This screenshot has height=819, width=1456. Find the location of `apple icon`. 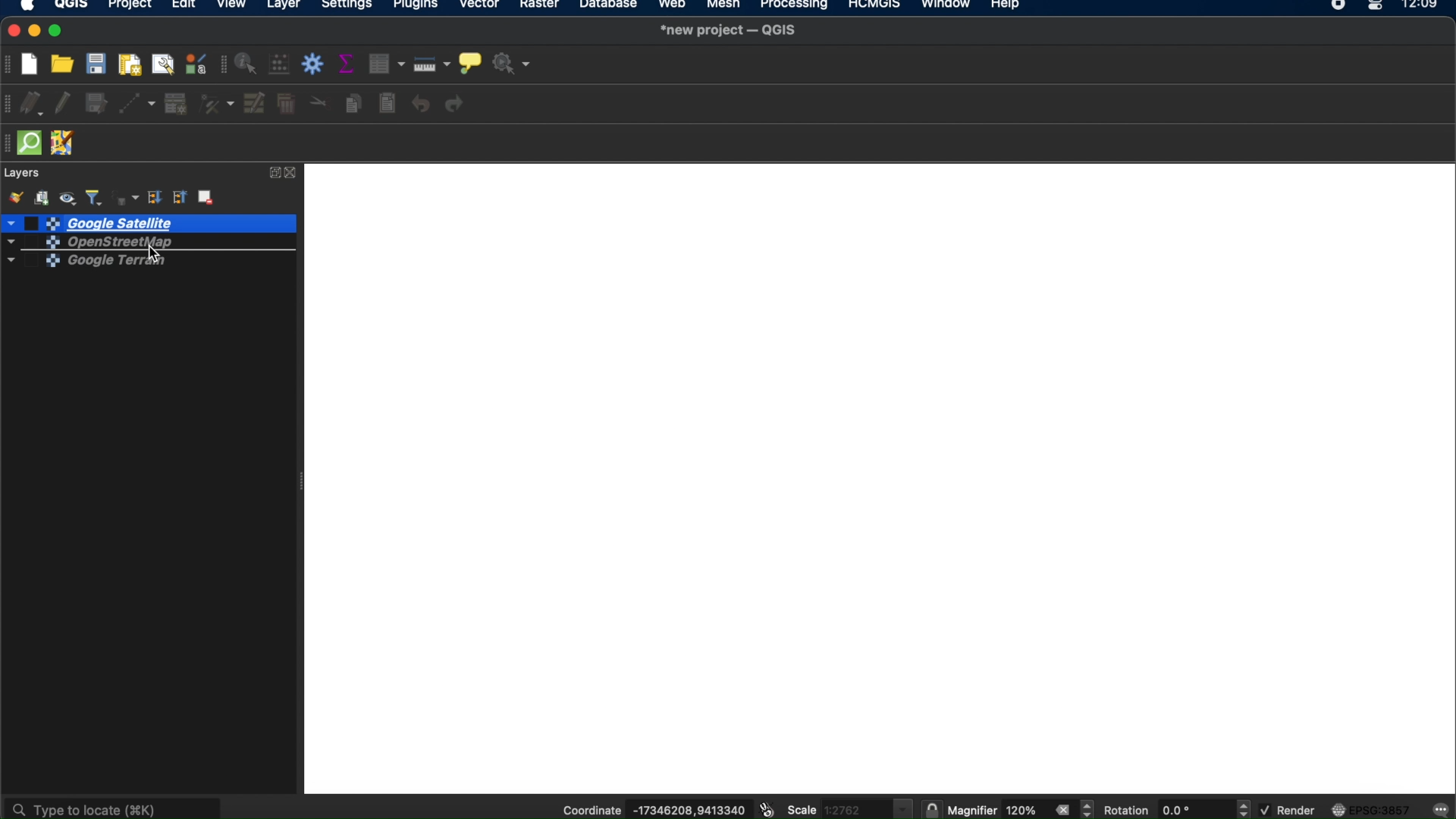

apple icon is located at coordinates (33, 7).